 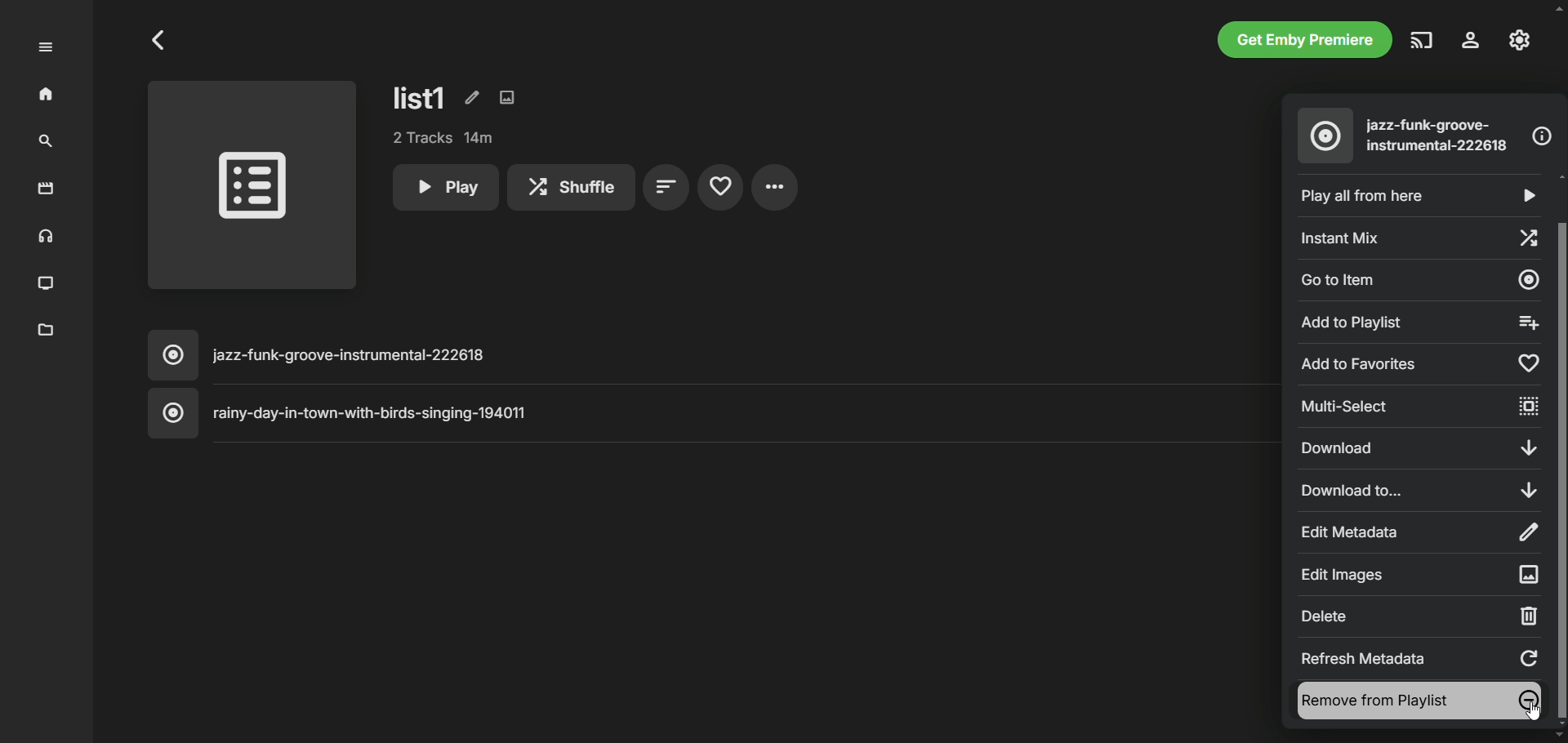 I want to click on delete, so click(x=1419, y=616).